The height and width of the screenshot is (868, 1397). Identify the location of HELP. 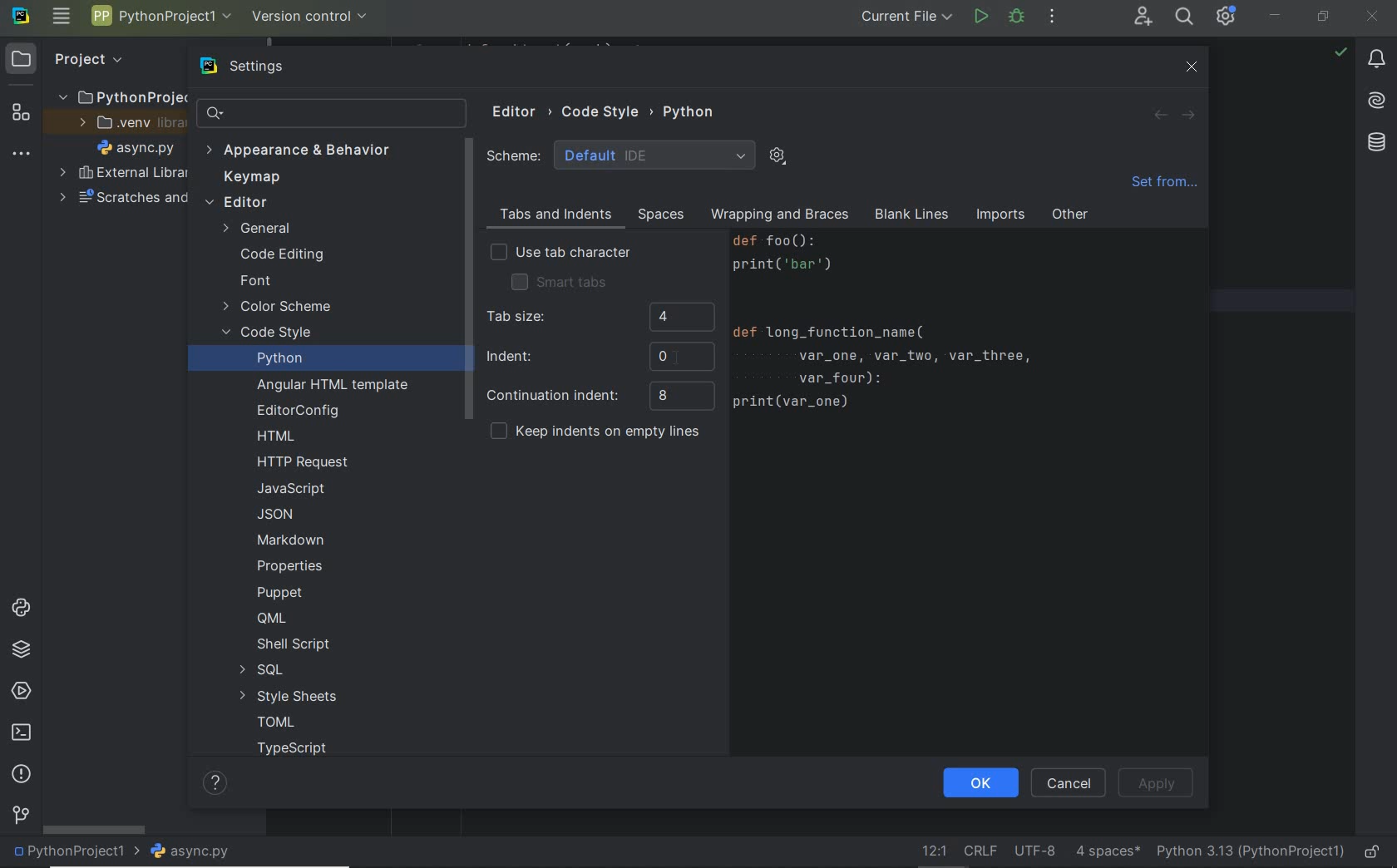
(217, 782).